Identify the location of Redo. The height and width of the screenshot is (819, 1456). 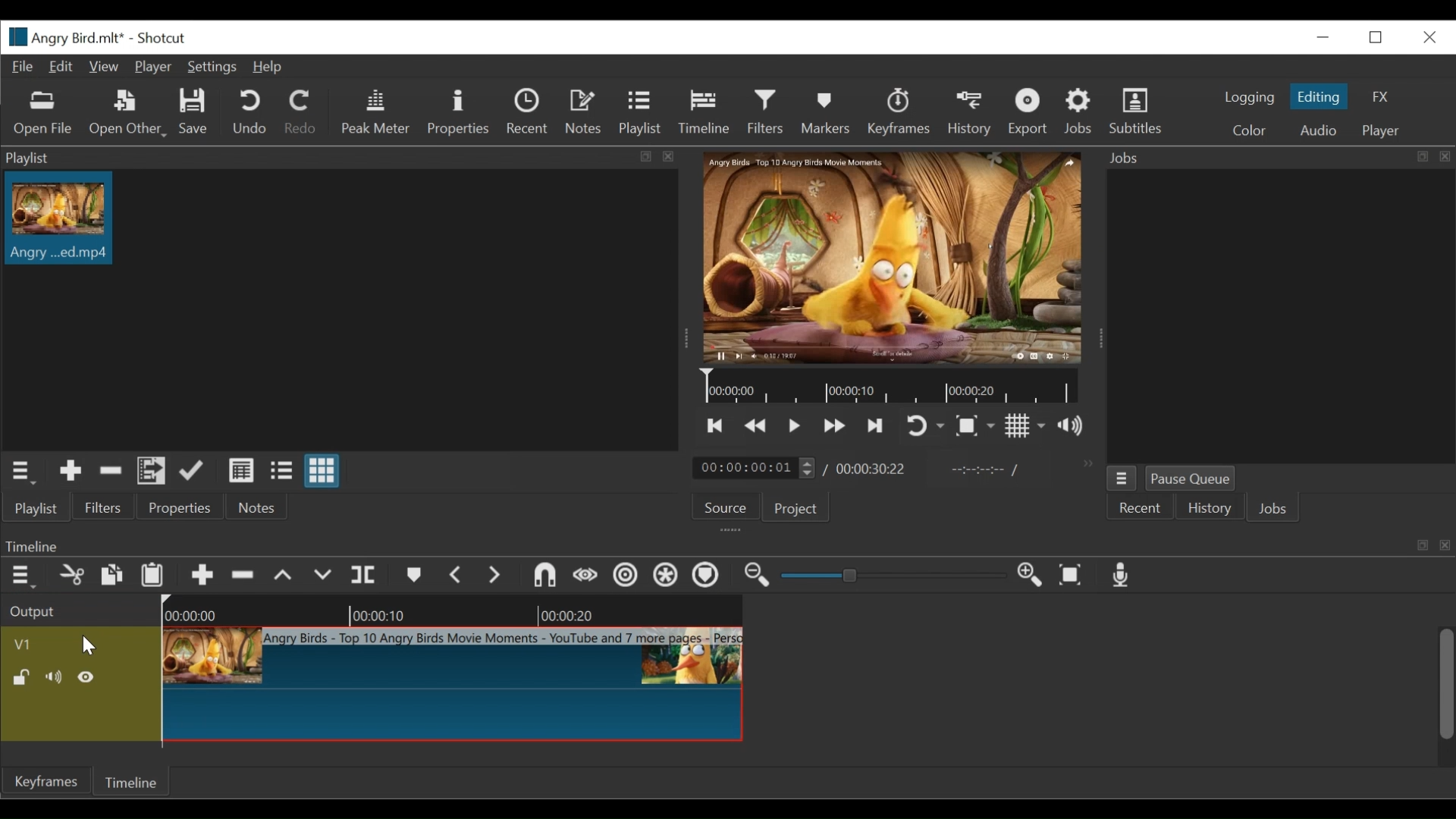
(303, 112).